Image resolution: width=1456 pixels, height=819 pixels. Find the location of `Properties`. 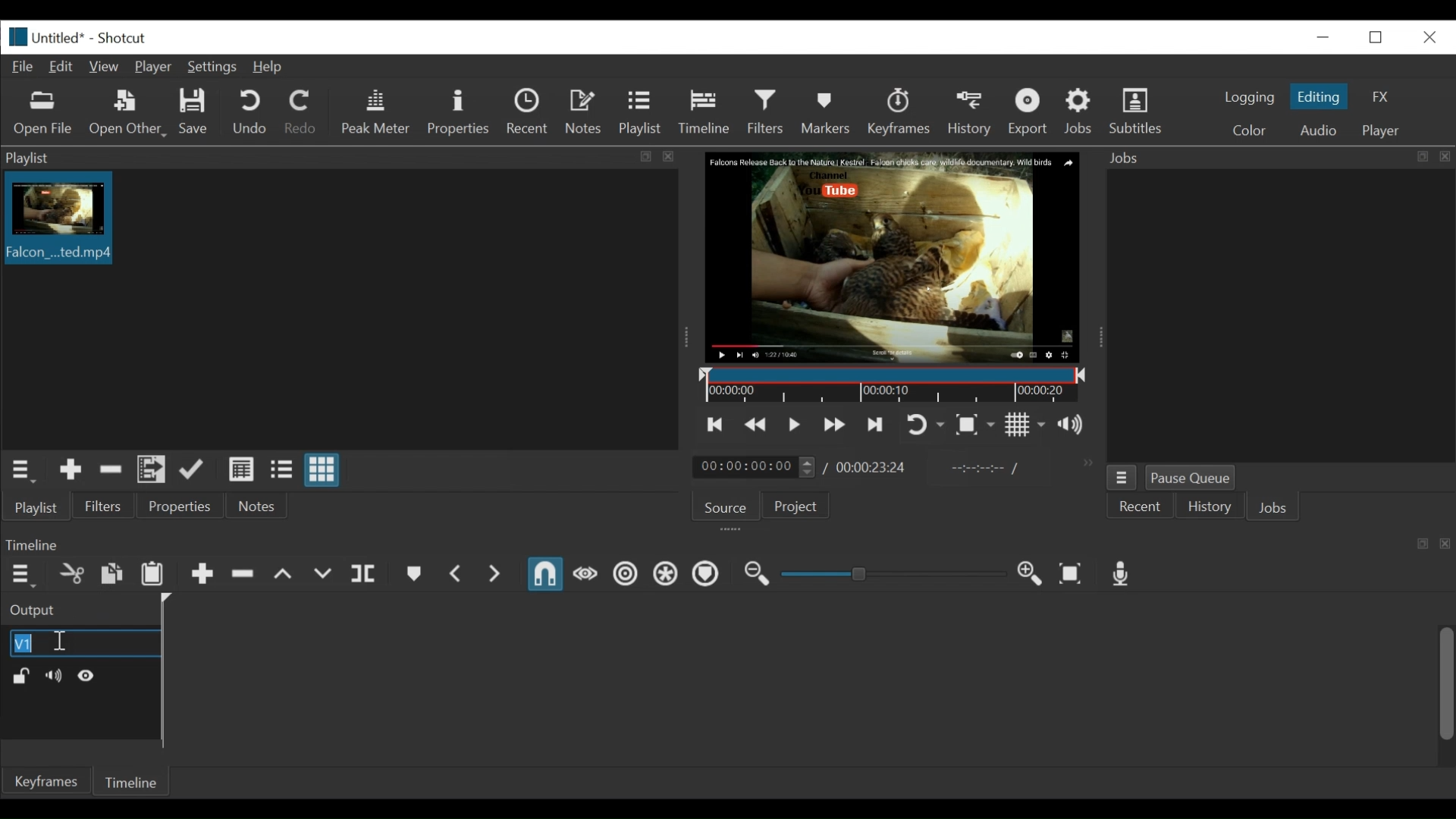

Properties is located at coordinates (179, 507).